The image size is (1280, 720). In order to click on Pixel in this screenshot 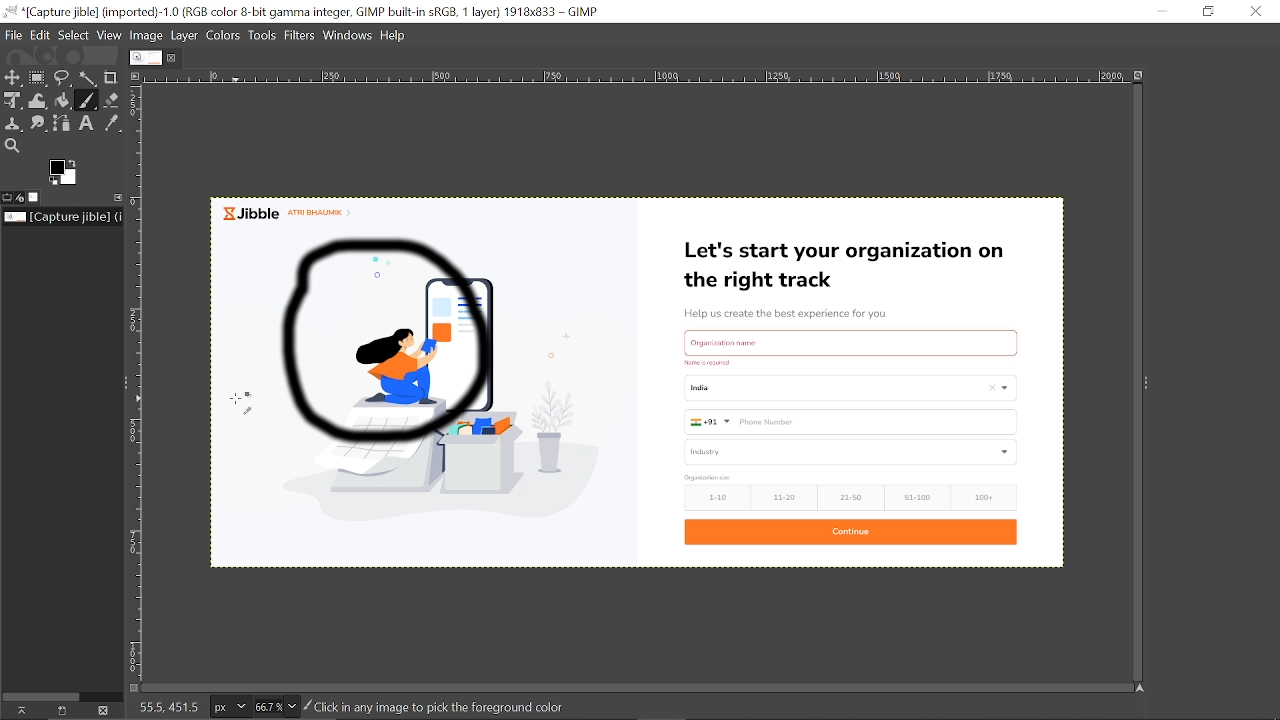, I will do `click(232, 708)`.